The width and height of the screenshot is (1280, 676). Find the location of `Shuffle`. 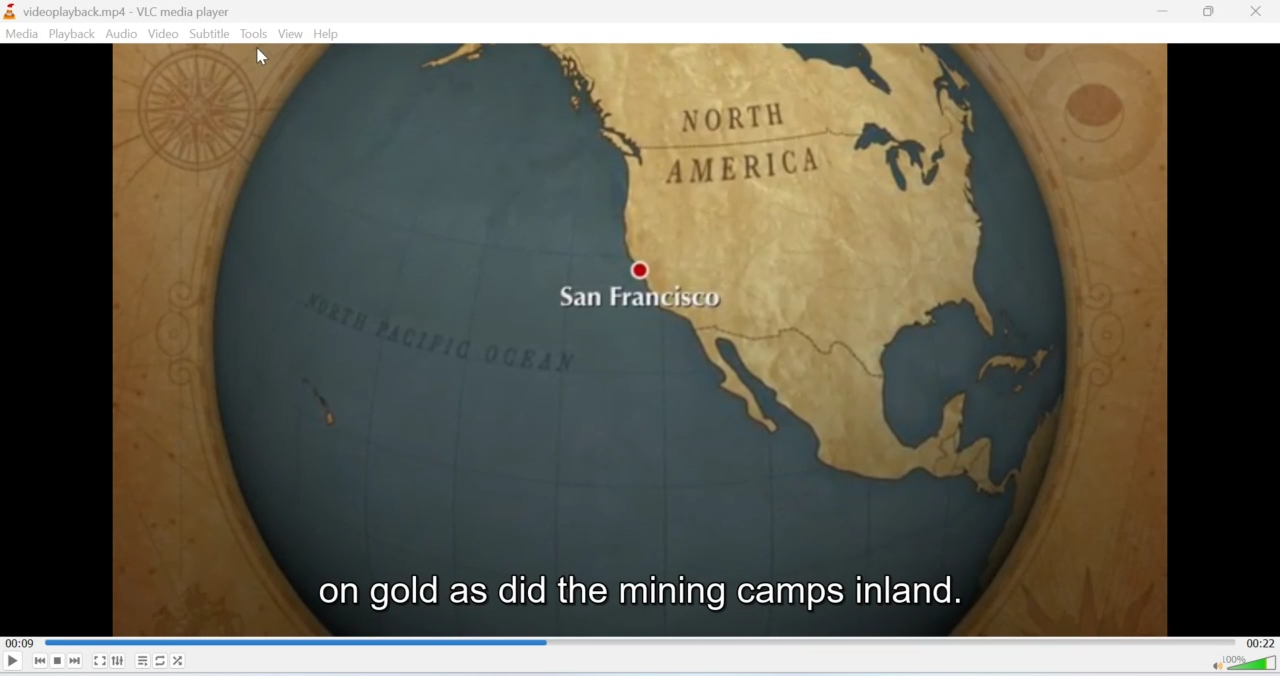

Shuffle is located at coordinates (178, 661).